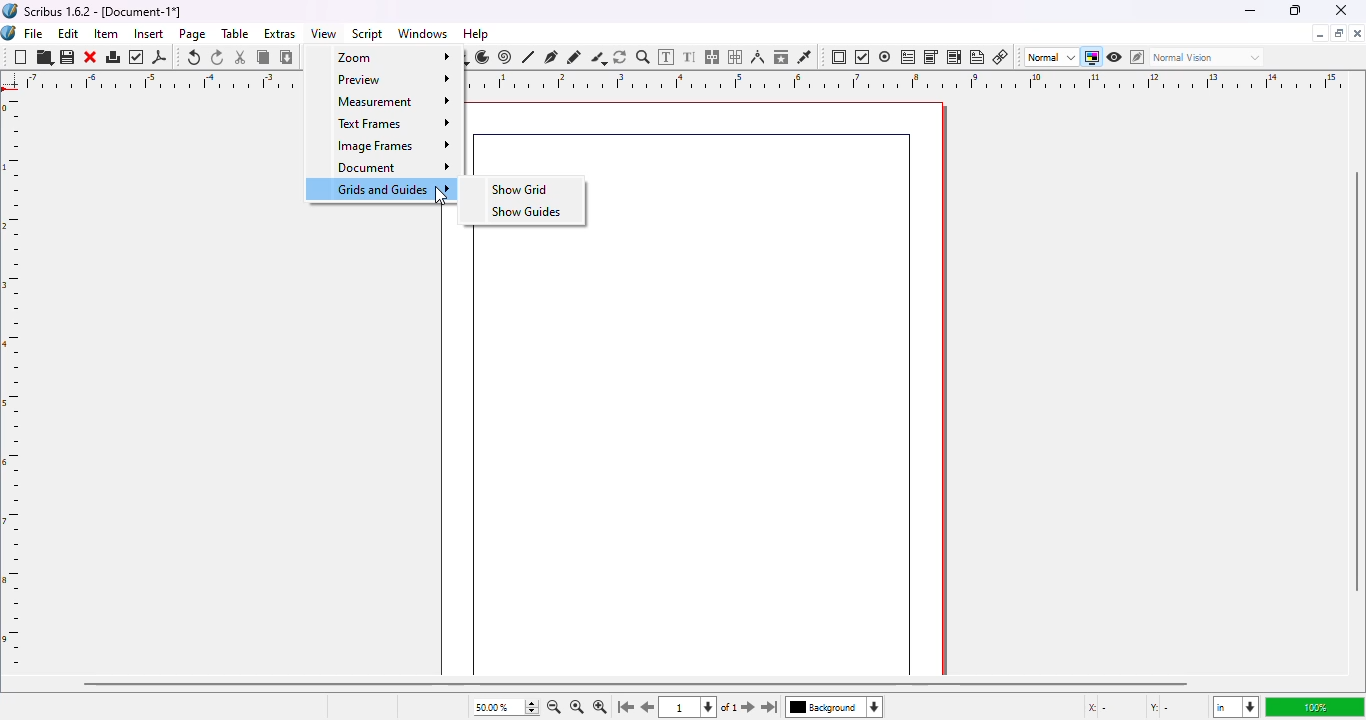 This screenshot has height=720, width=1366. I want to click on cut, so click(241, 57).